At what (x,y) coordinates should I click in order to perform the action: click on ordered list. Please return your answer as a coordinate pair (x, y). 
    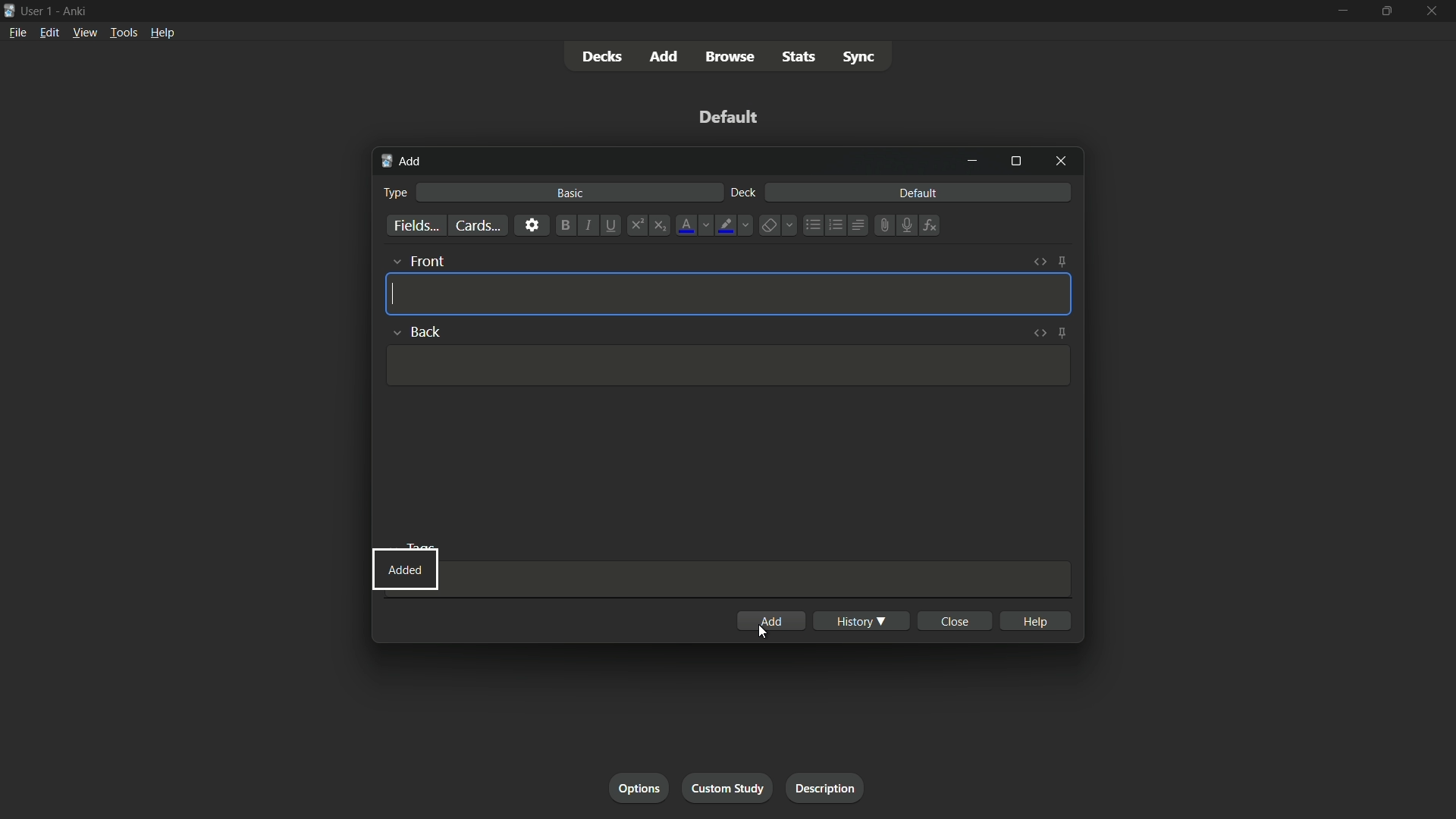
    Looking at the image, I should click on (834, 225).